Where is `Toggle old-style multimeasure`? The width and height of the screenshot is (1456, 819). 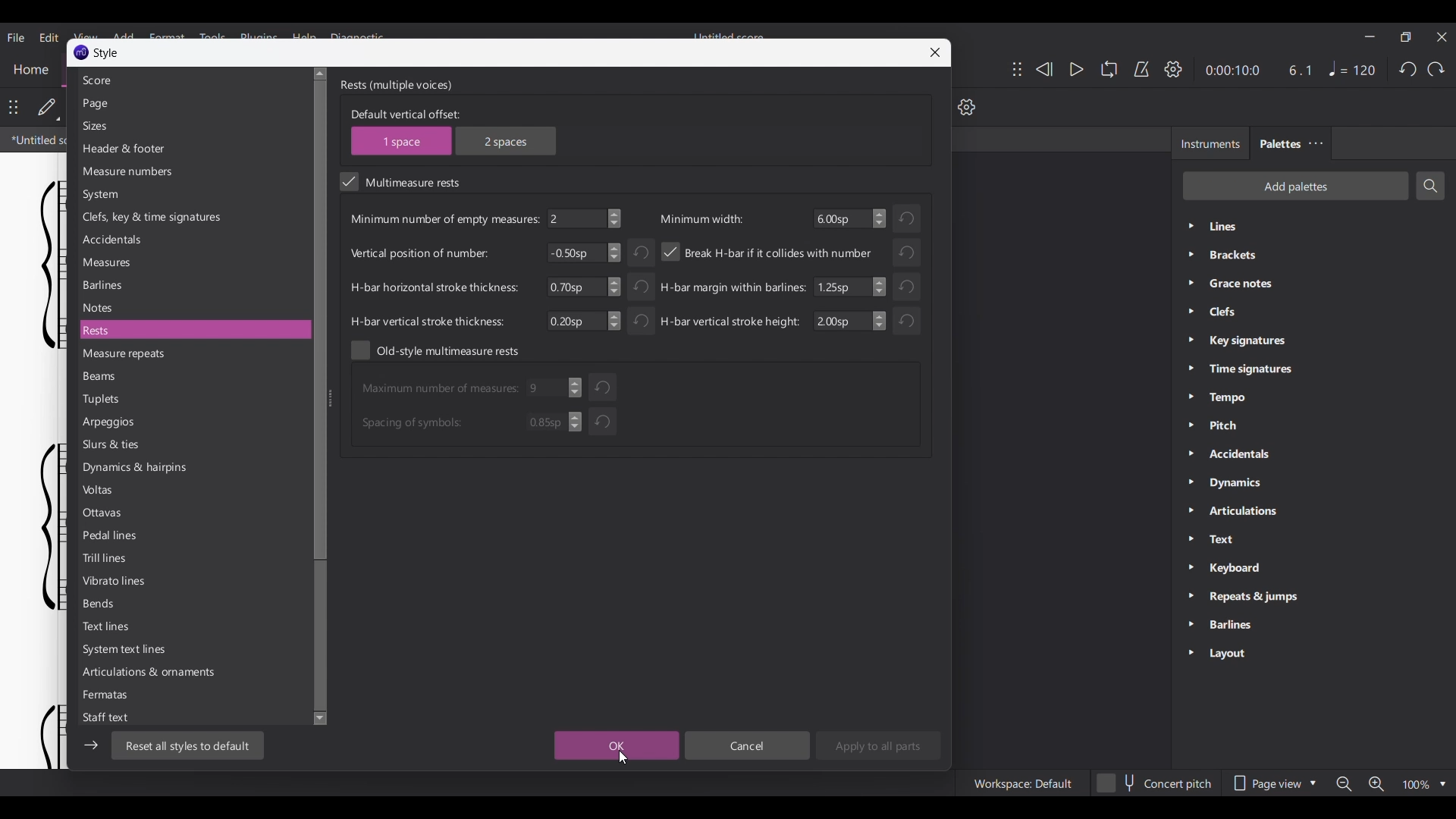
Toggle old-style multimeasure is located at coordinates (435, 350).